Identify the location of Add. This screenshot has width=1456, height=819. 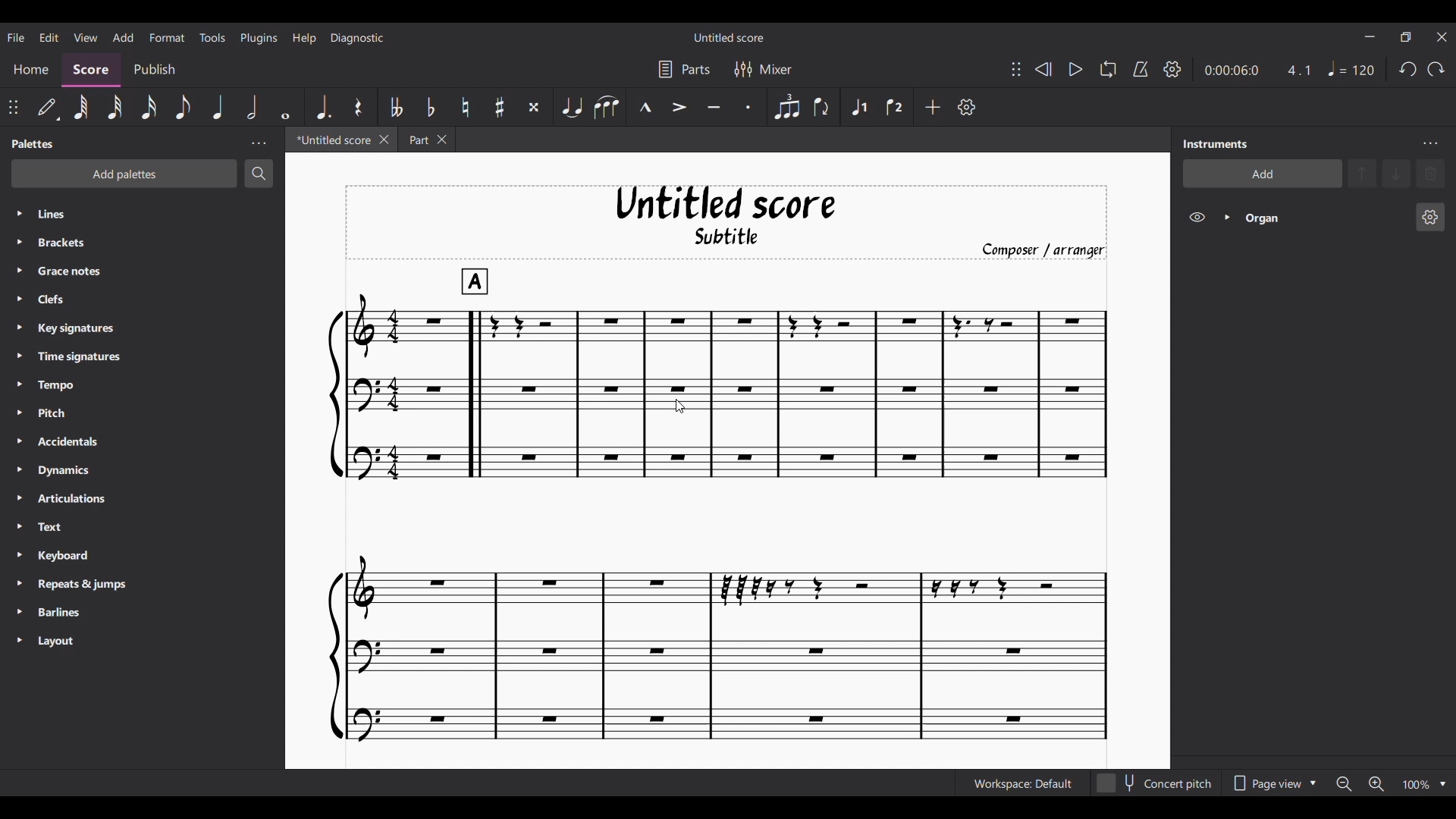
(933, 107).